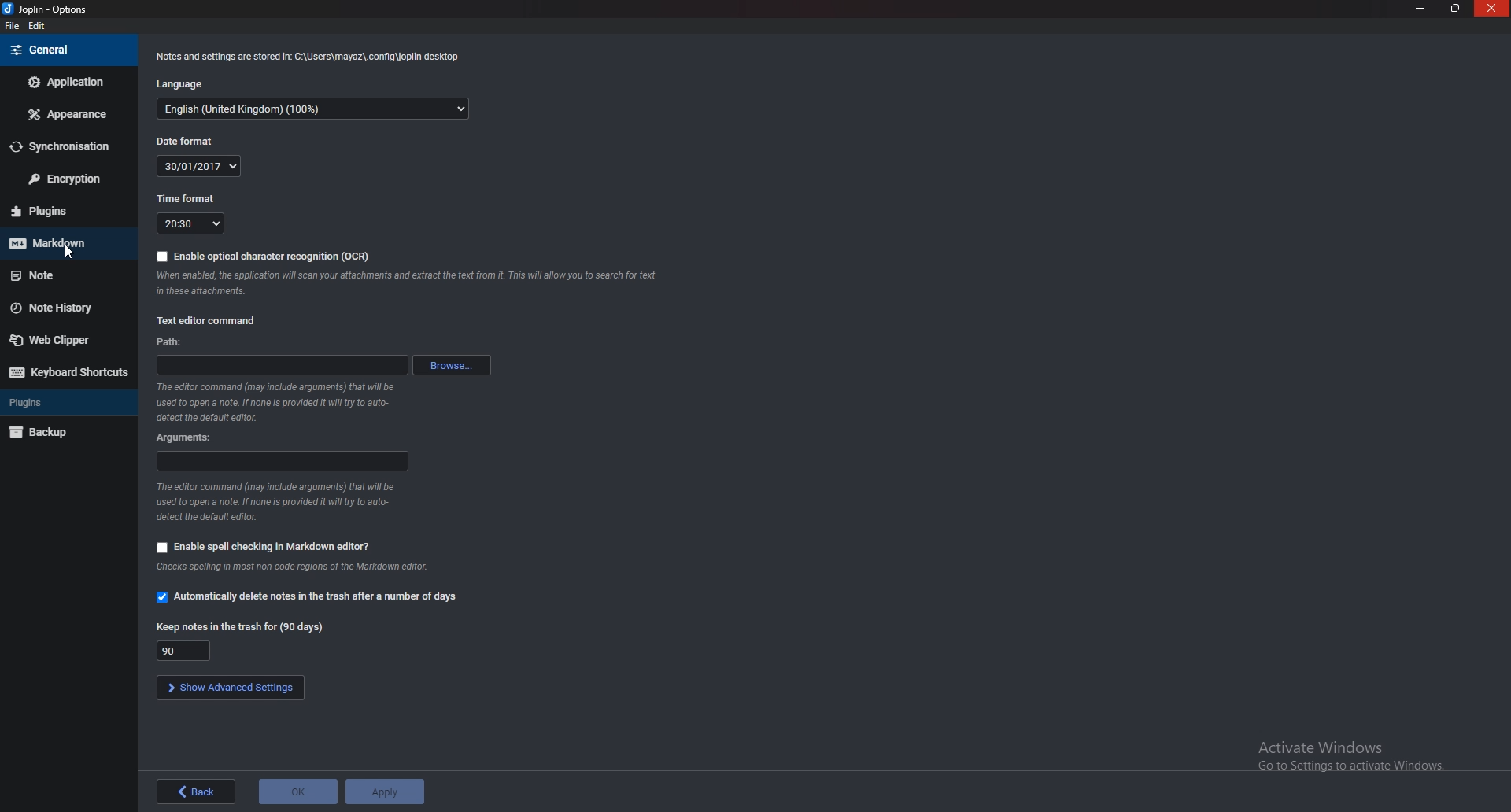 The height and width of the screenshot is (812, 1511). What do you see at coordinates (239, 626) in the screenshot?
I see `Keep notes in trash for` at bounding box center [239, 626].